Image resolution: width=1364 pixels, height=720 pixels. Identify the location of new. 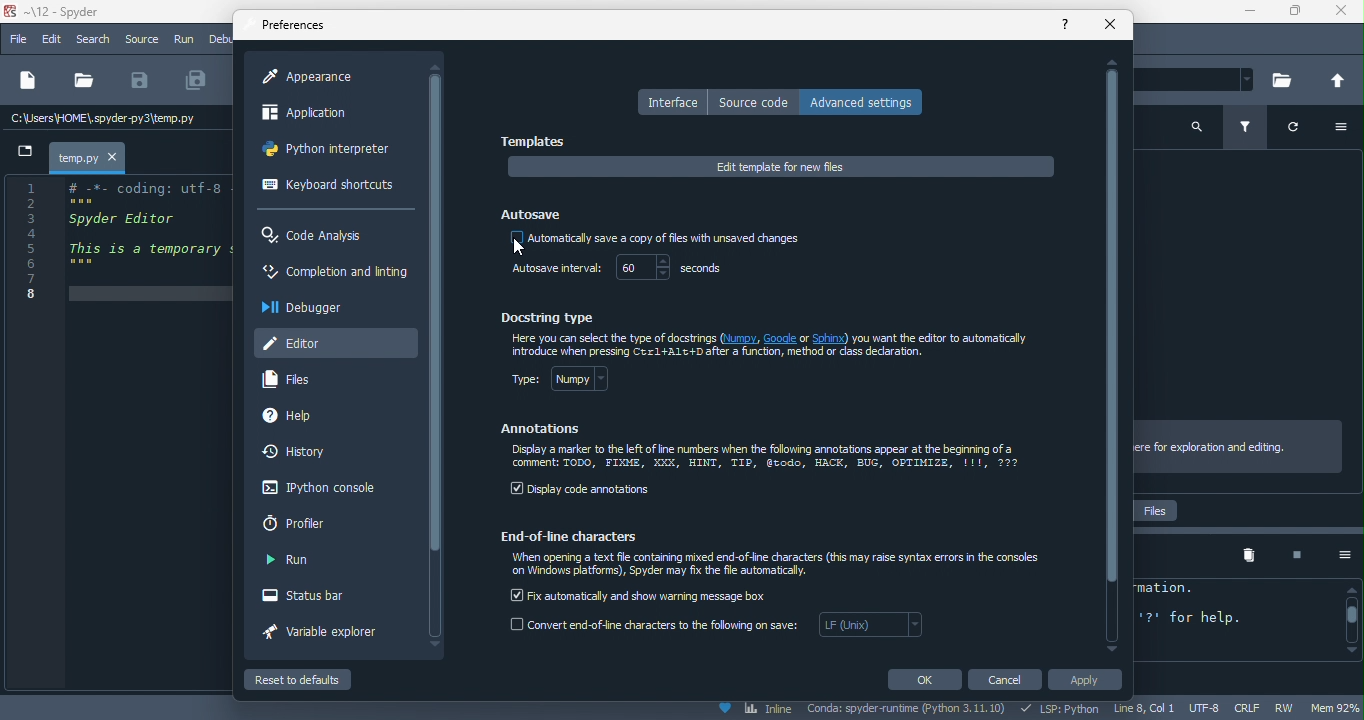
(26, 82).